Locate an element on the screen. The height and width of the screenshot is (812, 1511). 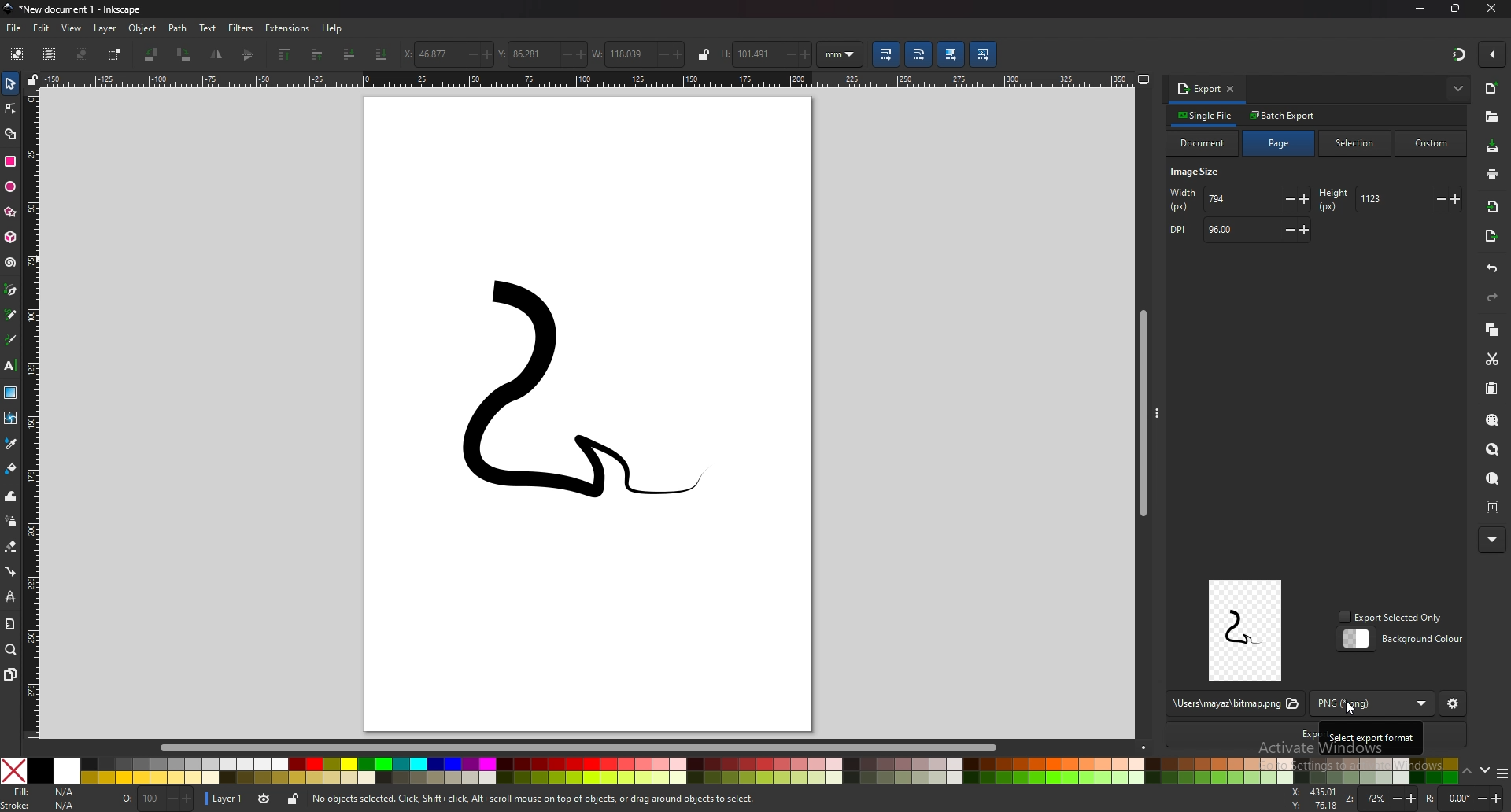
path is located at coordinates (178, 28).